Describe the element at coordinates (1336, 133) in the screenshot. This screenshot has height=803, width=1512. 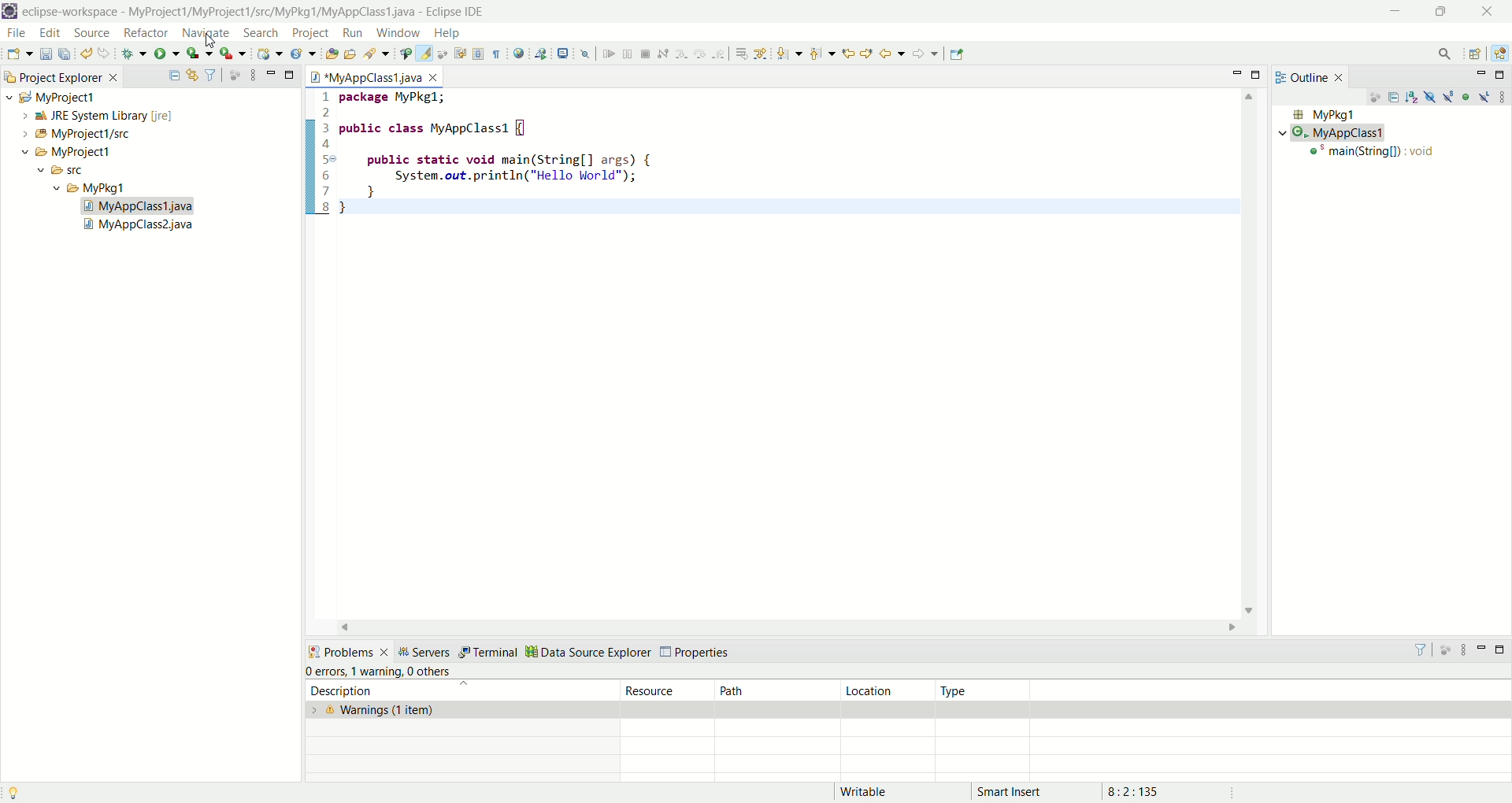
I see `myappclass1` at that location.